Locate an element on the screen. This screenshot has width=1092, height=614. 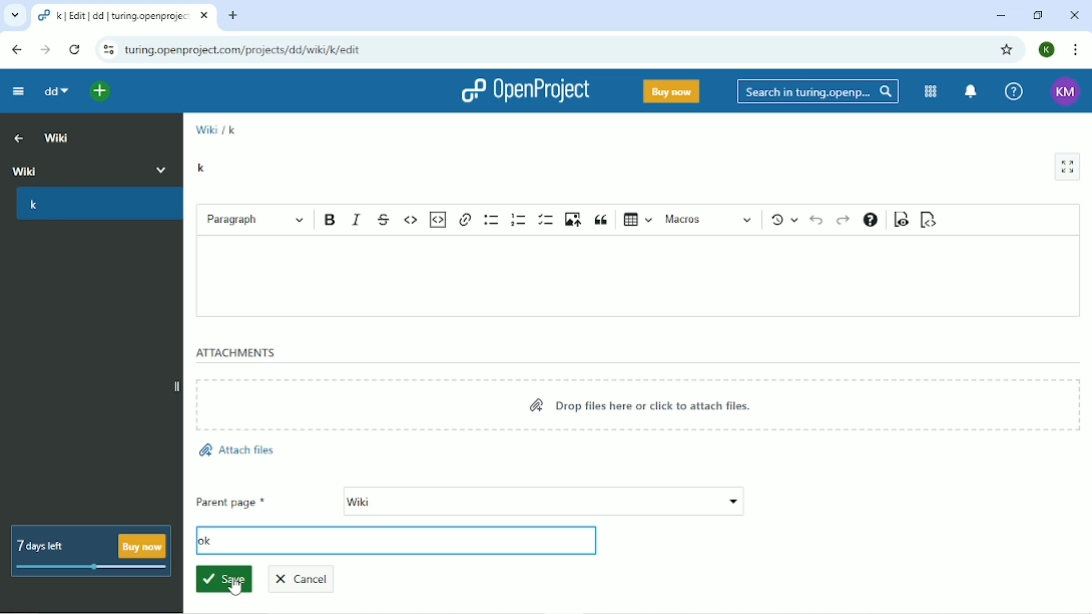
Italic is located at coordinates (357, 218).